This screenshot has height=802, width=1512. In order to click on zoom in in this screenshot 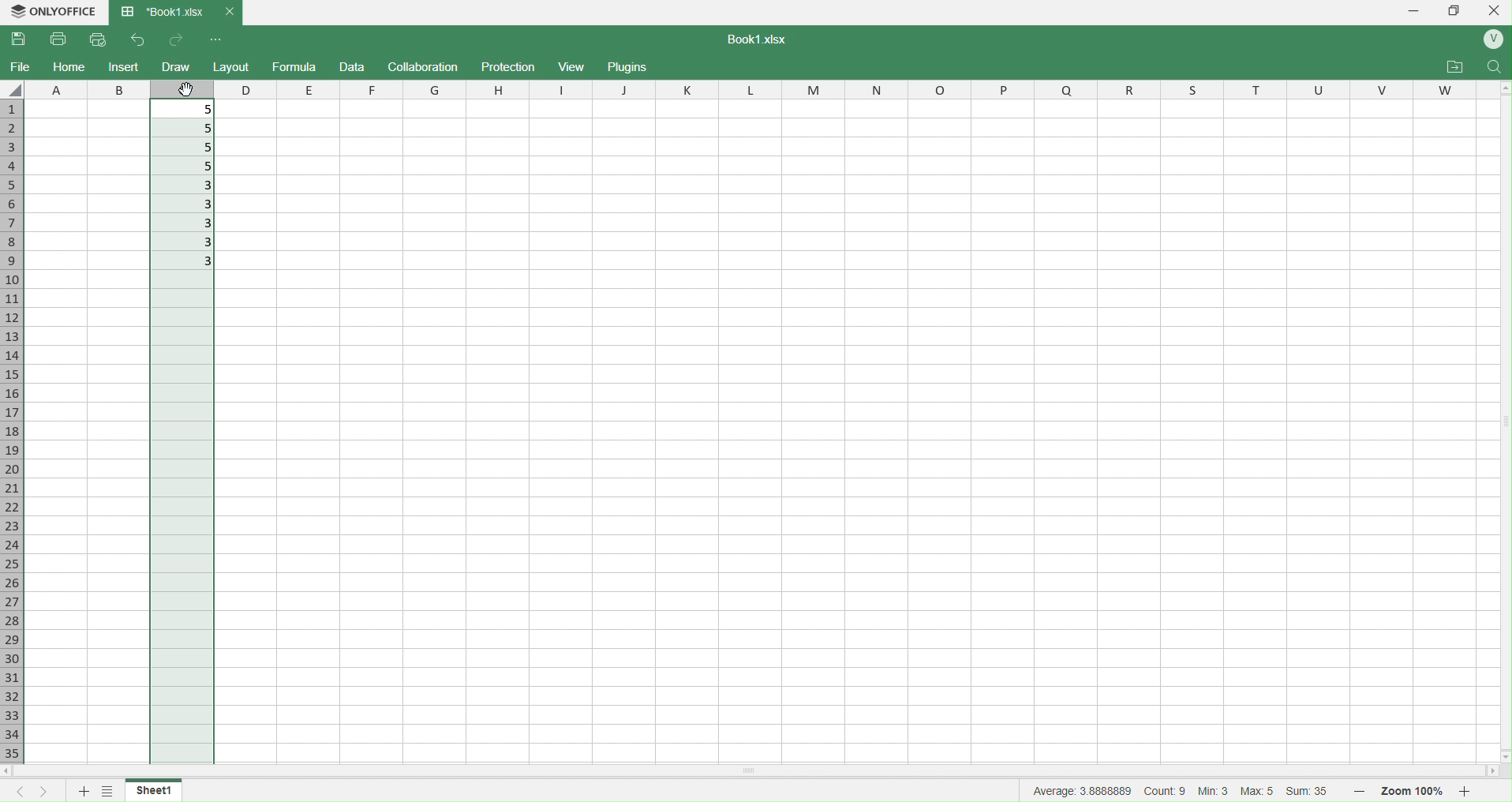, I will do `click(1465, 791)`.